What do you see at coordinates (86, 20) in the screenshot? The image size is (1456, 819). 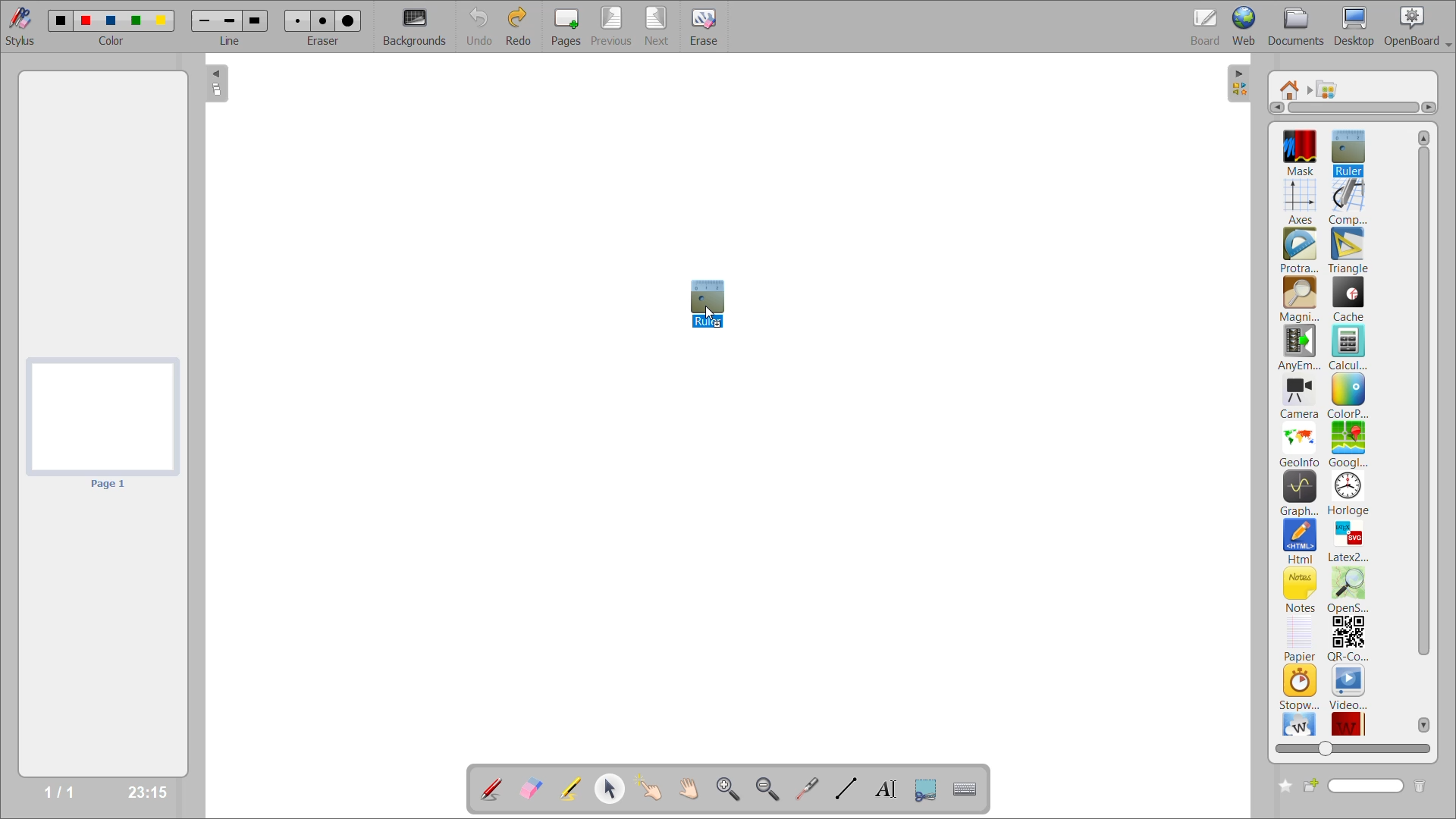 I see `color 2` at bounding box center [86, 20].